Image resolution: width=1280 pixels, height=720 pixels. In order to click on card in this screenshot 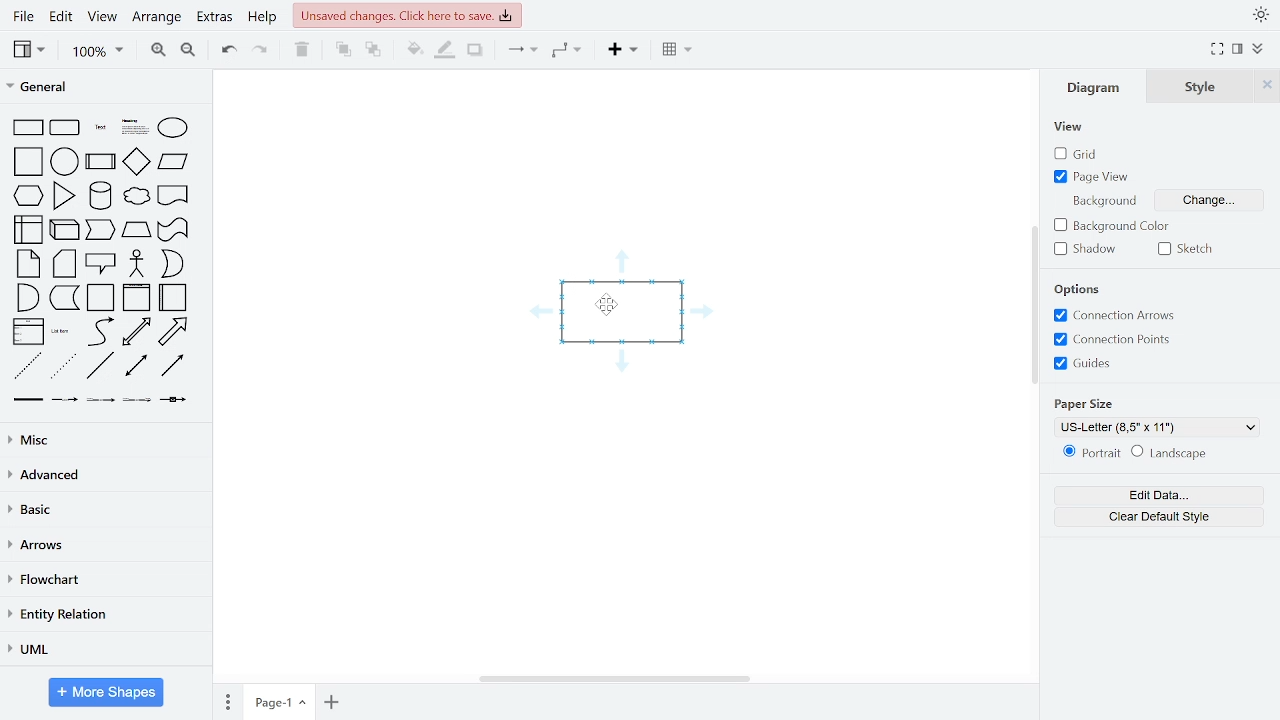, I will do `click(63, 264)`.